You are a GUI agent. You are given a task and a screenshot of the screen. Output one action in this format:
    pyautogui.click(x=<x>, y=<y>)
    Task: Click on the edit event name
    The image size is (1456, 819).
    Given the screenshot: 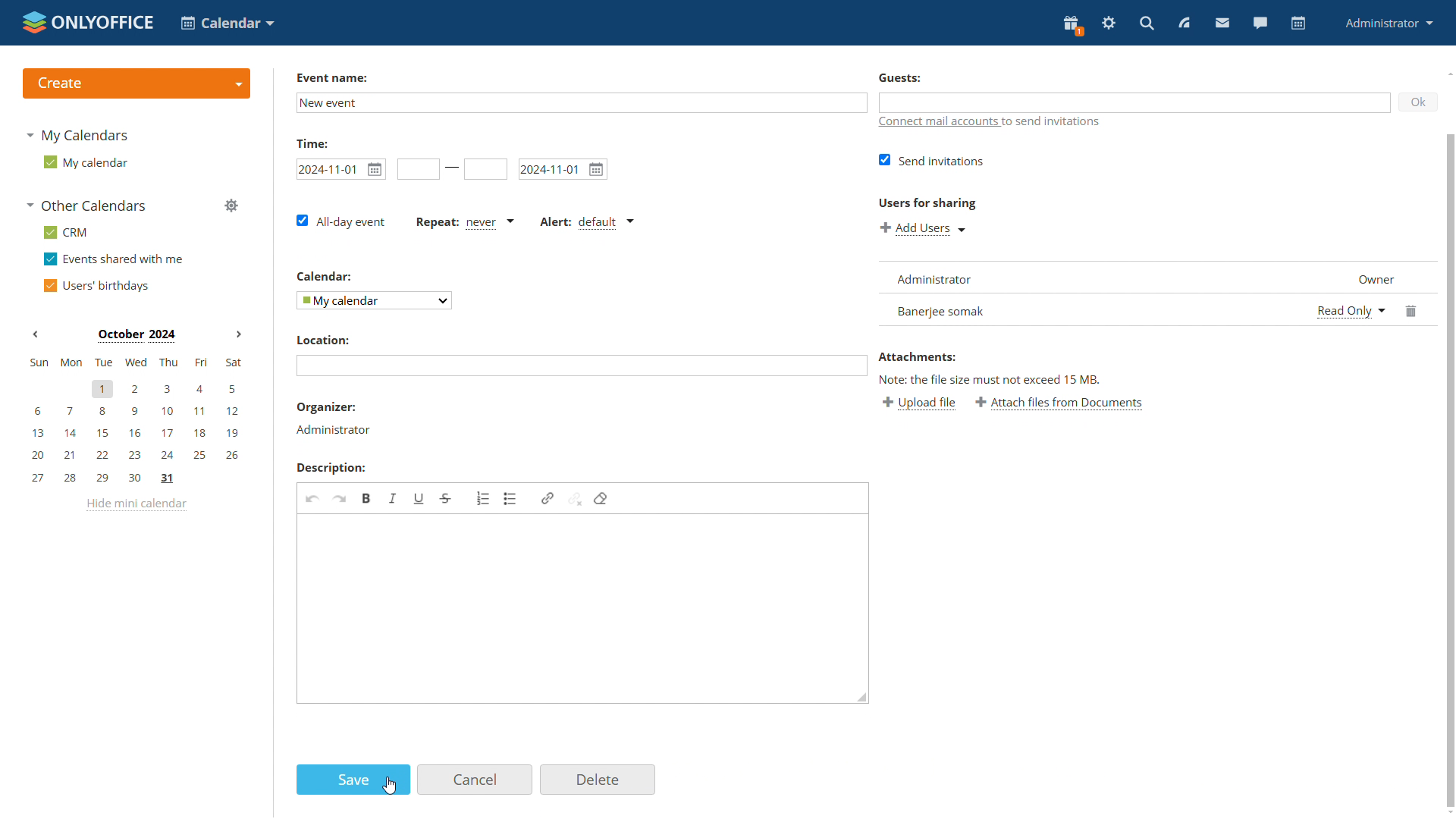 What is the action you would take?
    pyautogui.click(x=579, y=102)
    